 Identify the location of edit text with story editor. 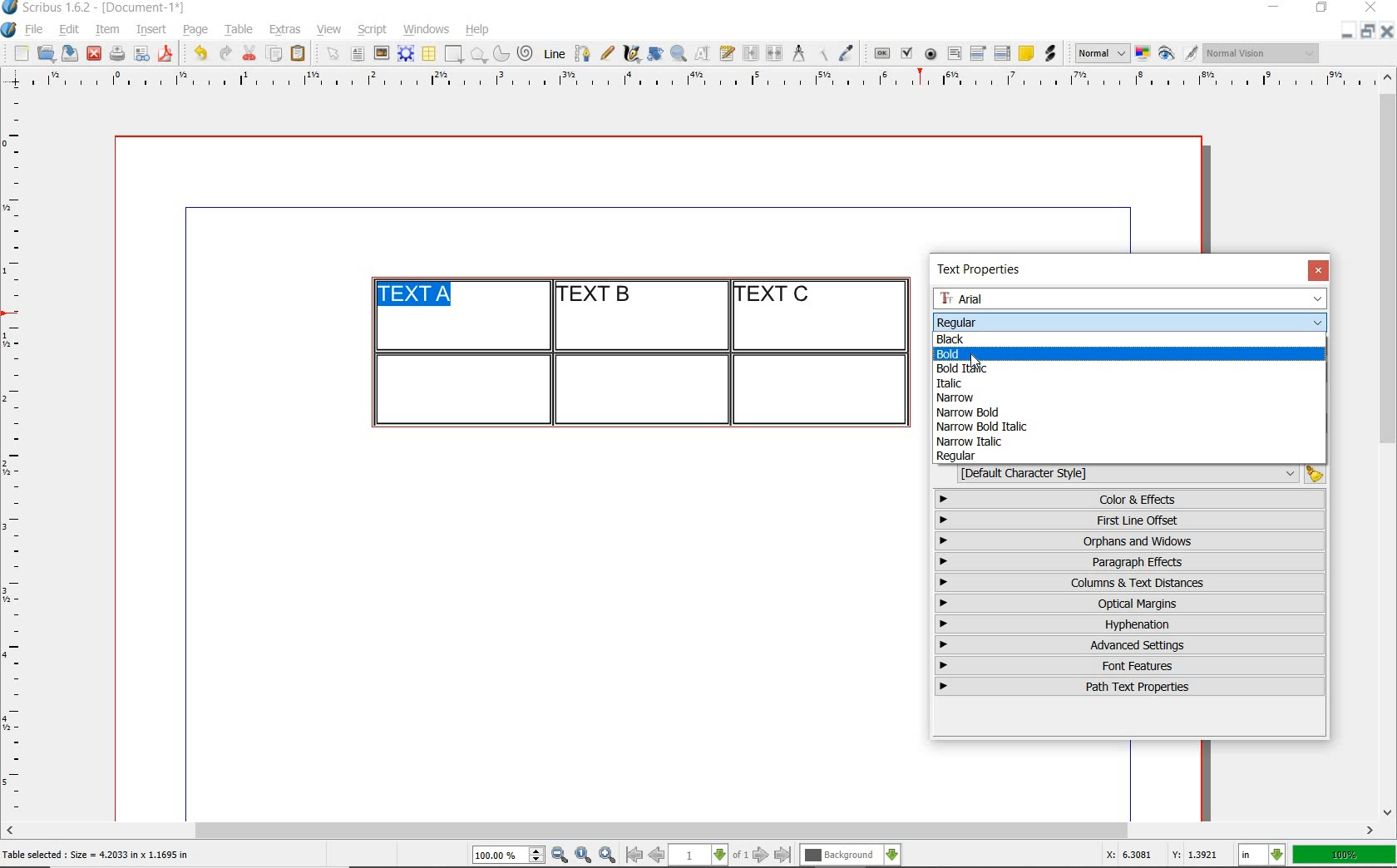
(727, 52).